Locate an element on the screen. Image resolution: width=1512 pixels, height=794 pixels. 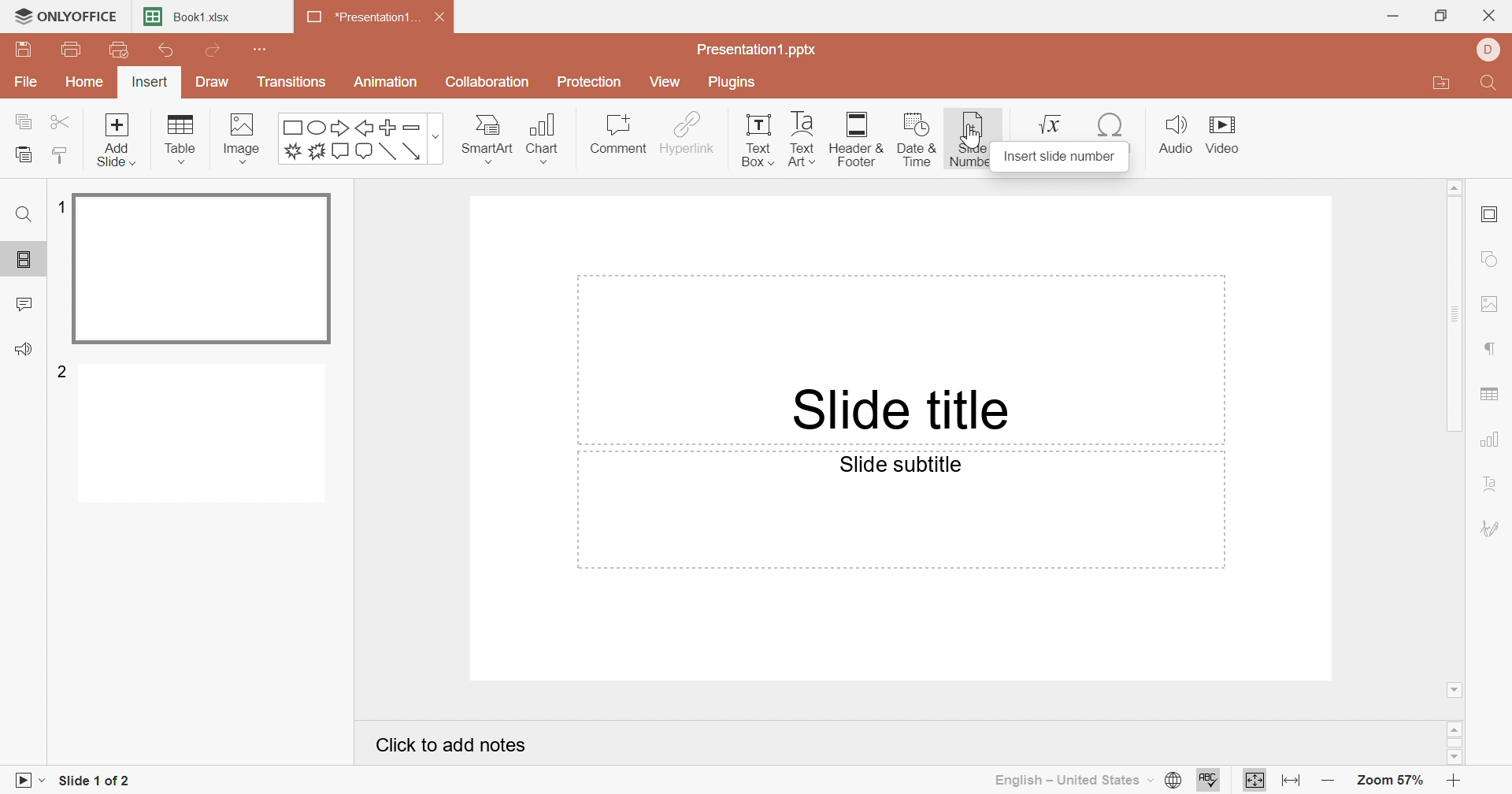
Transitions is located at coordinates (292, 82).